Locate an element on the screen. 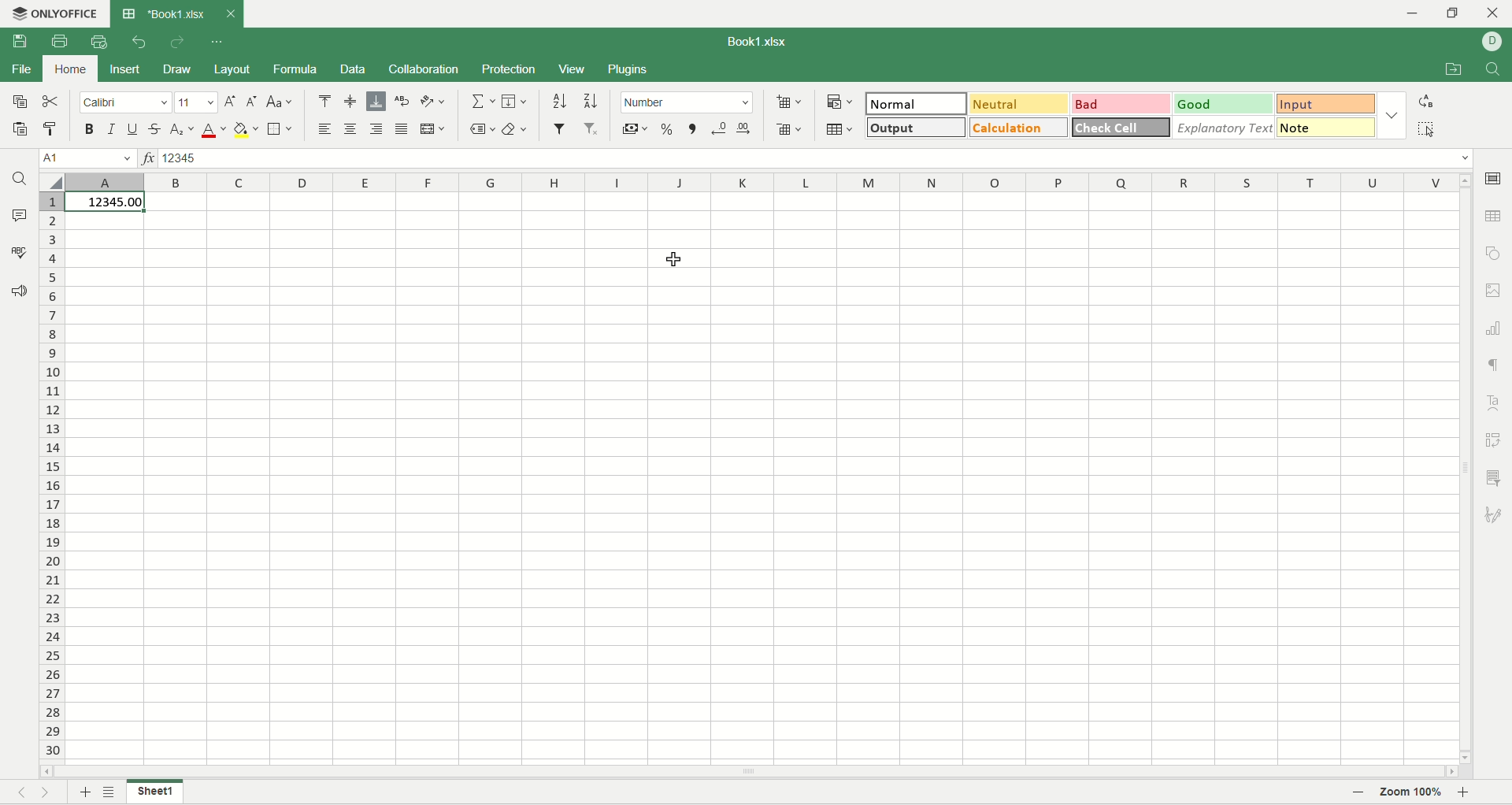 The width and height of the screenshot is (1512, 805). slicer settings is located at coordinates (1497, 480).